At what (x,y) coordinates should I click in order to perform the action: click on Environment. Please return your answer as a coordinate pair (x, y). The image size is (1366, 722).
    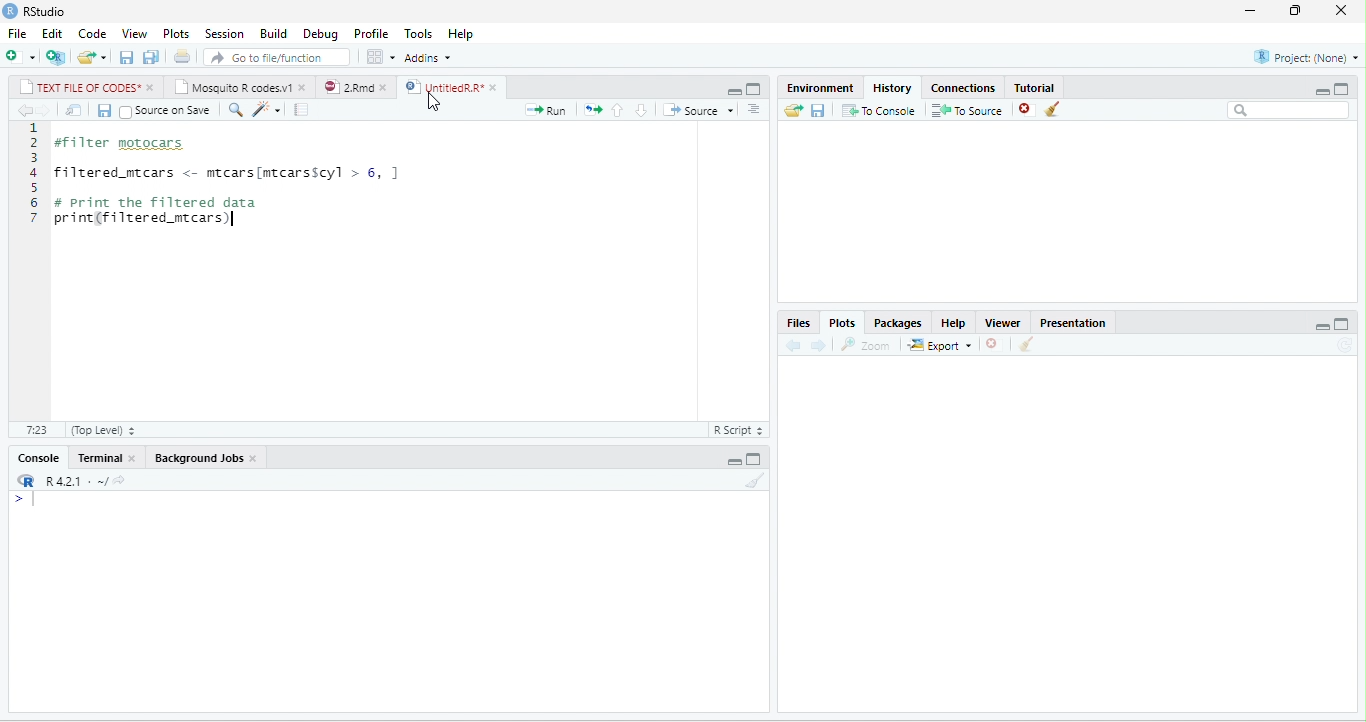
    Looking at the image, I should click on (820, 88).